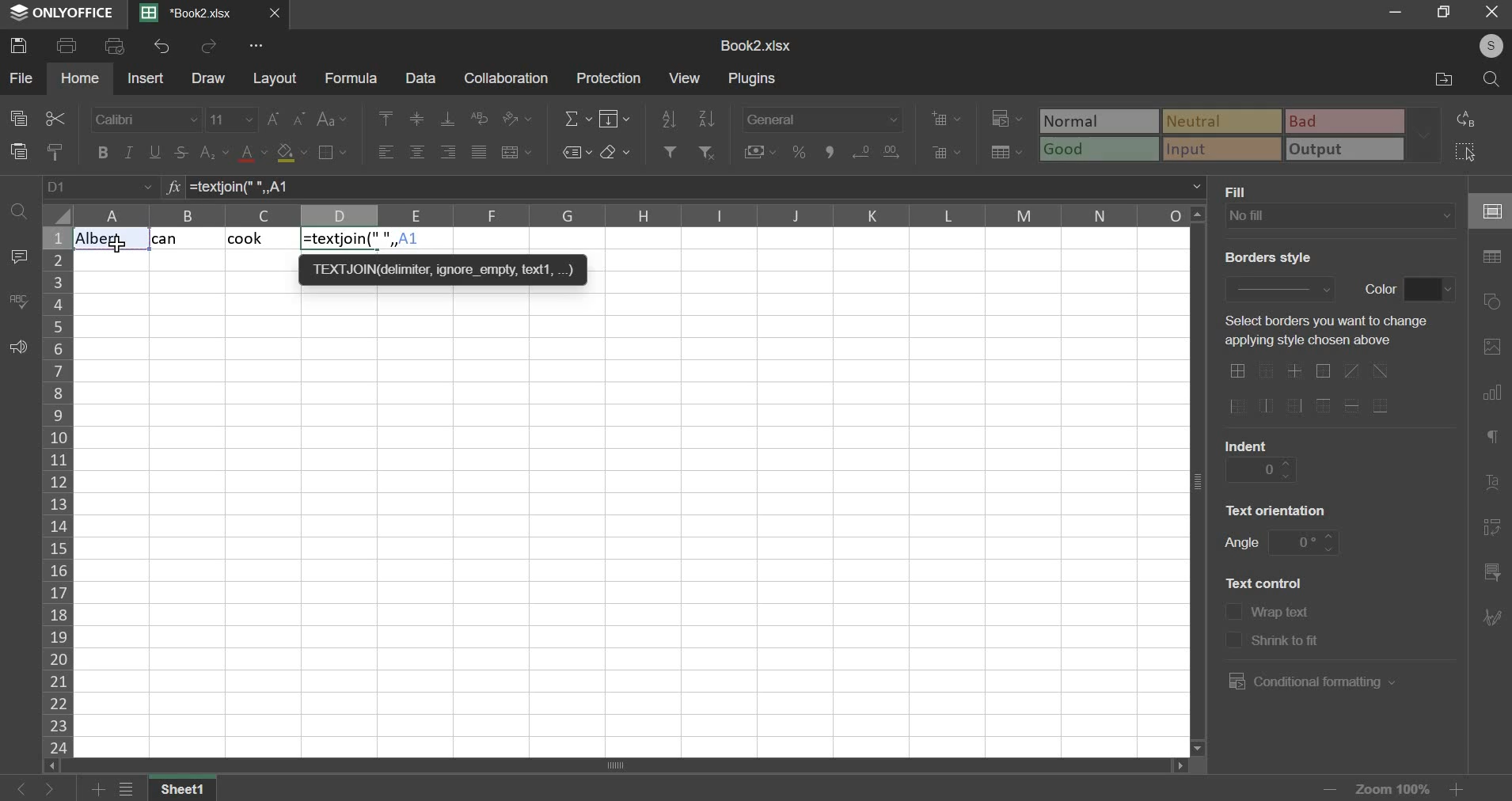 This screenshot has height=801, width=1512. What do you see at coordinates (754, 79) in the screenshot?
I see `plugins` at bounding box center [754, 79].